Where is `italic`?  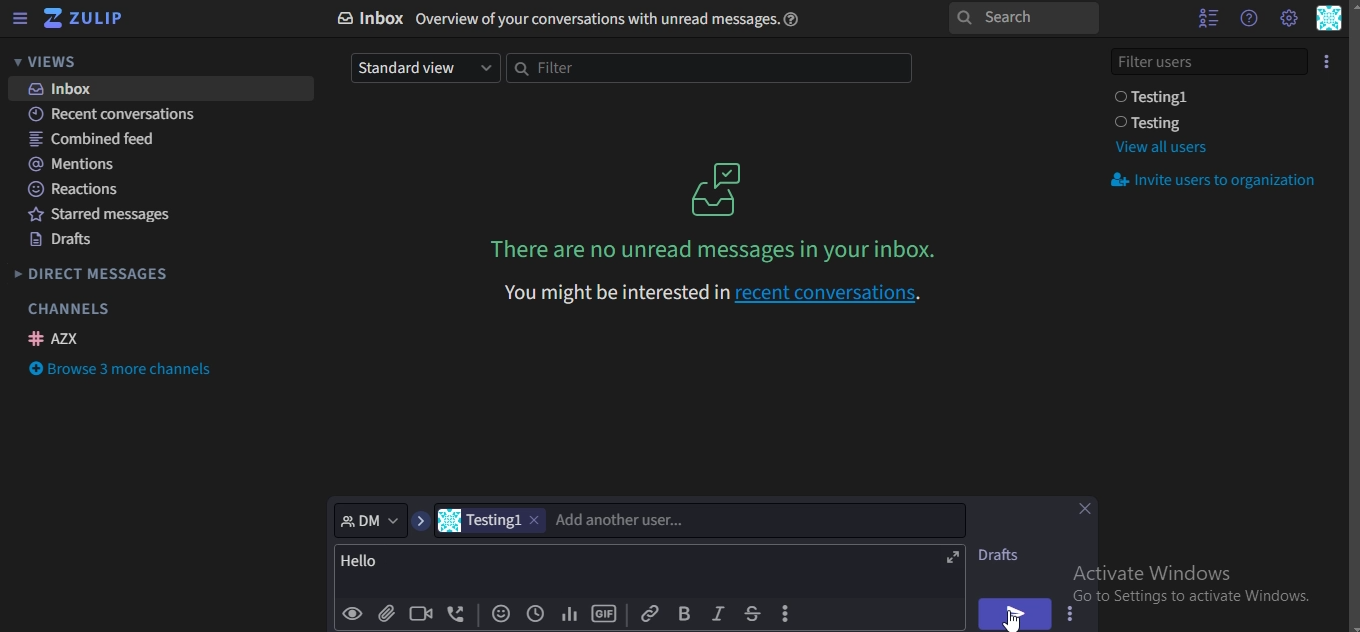
italic is located at coordinates (717, 614).